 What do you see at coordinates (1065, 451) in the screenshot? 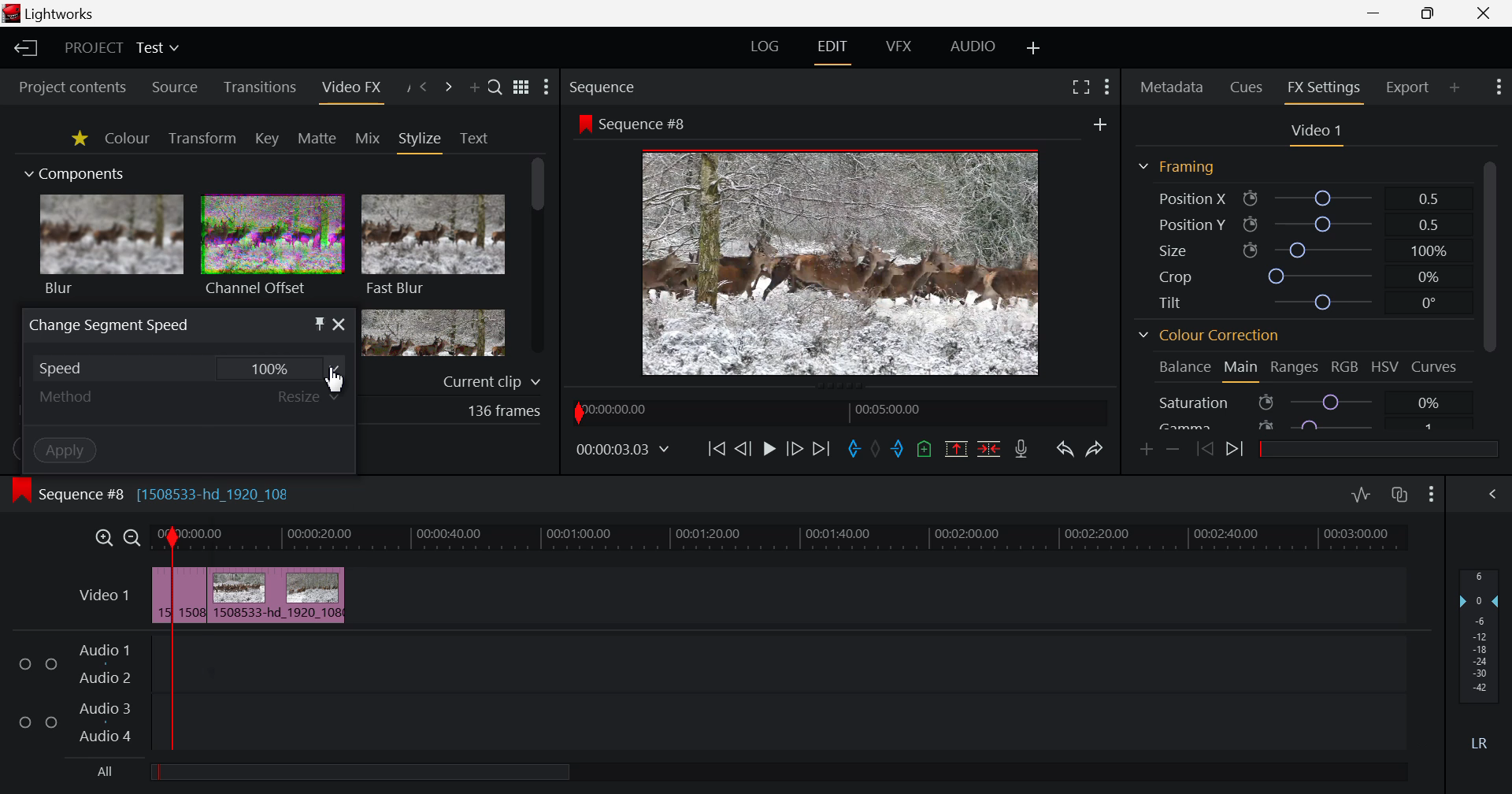
I see `Undo` at bounding box center [1065, 451].